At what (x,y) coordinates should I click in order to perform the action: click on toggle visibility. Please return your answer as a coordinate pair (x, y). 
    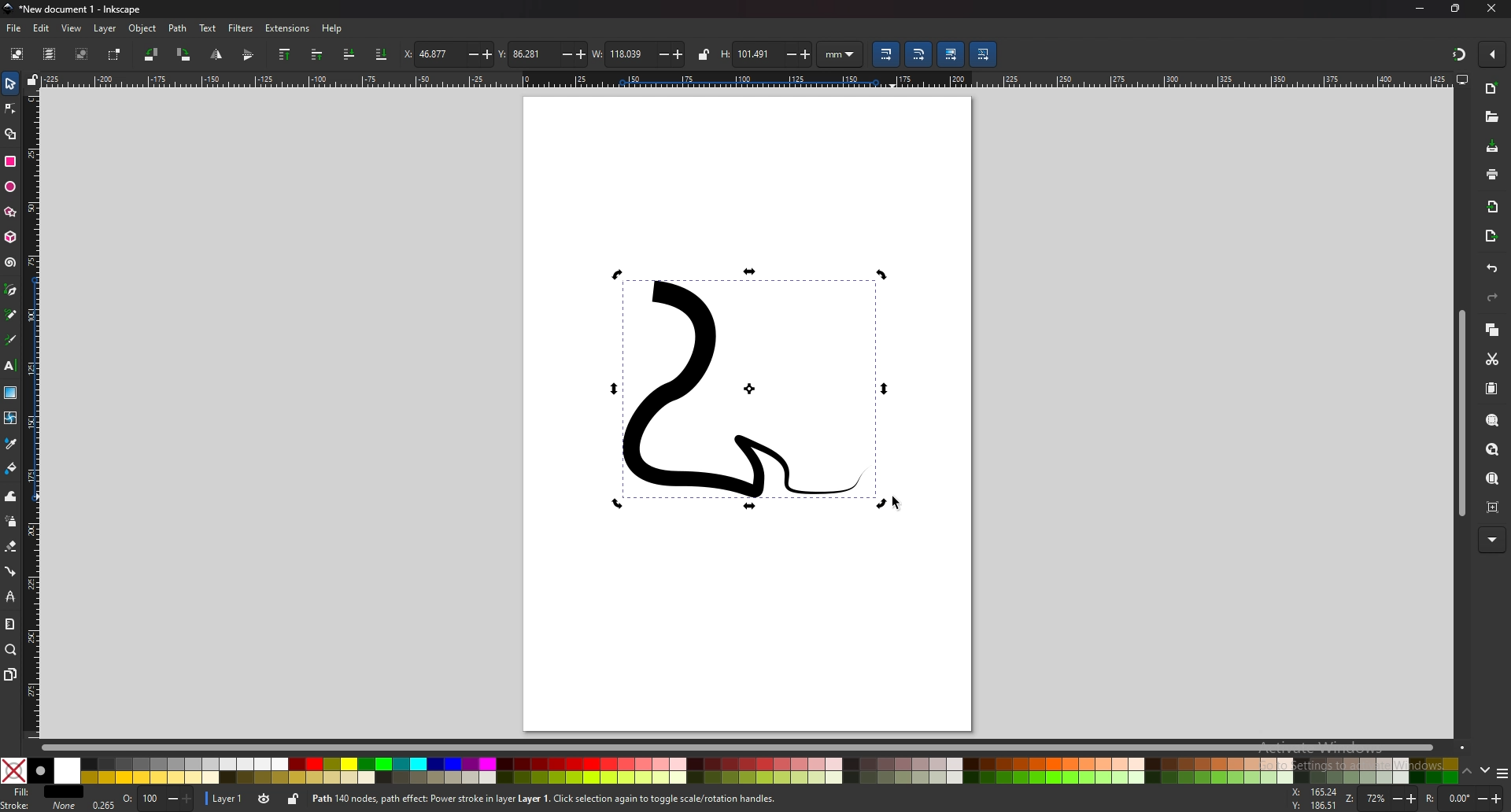
    Looking at the image, I should click on (265, 799).